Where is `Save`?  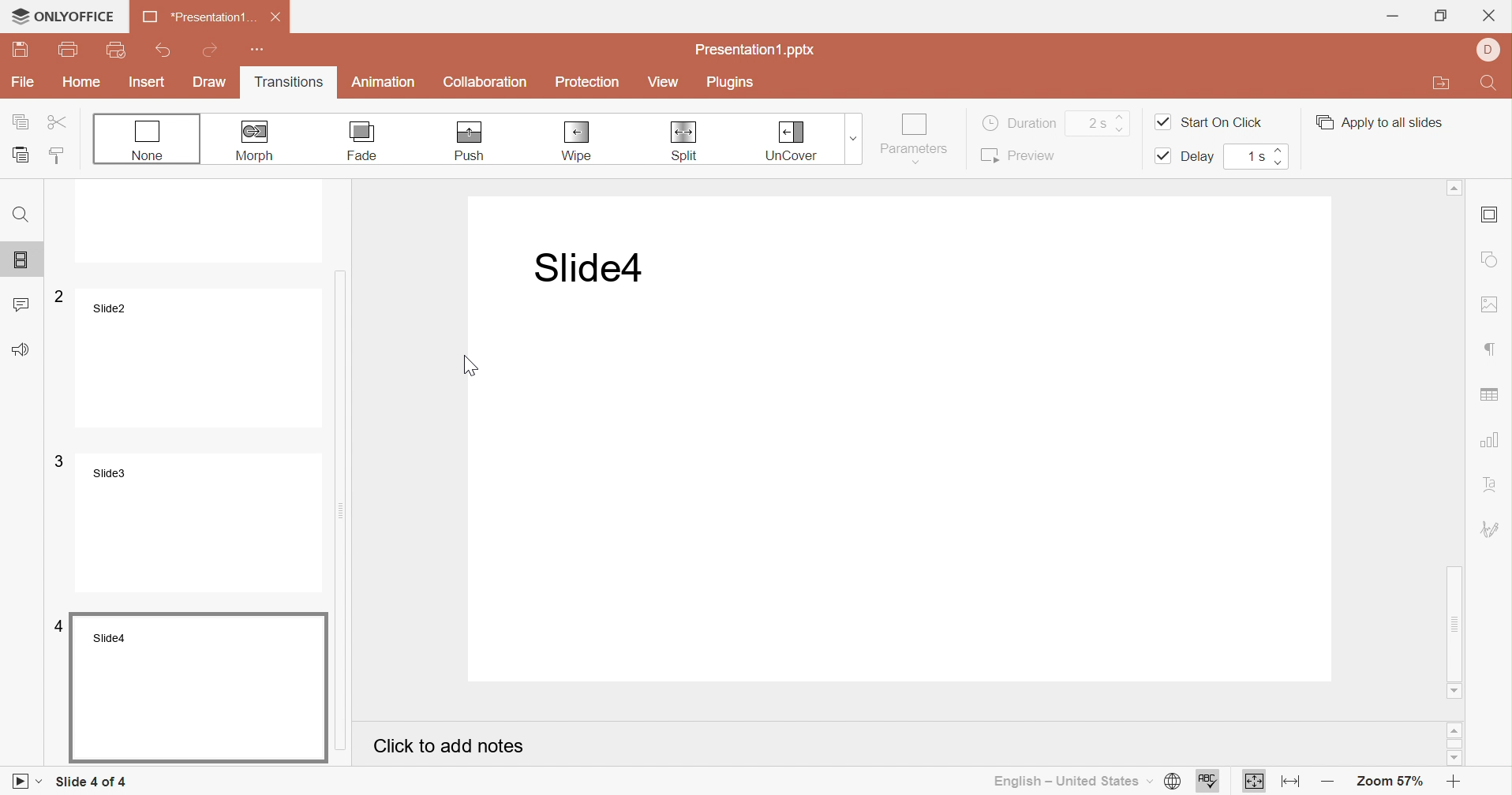
Save is located at coordinates (21, 49).